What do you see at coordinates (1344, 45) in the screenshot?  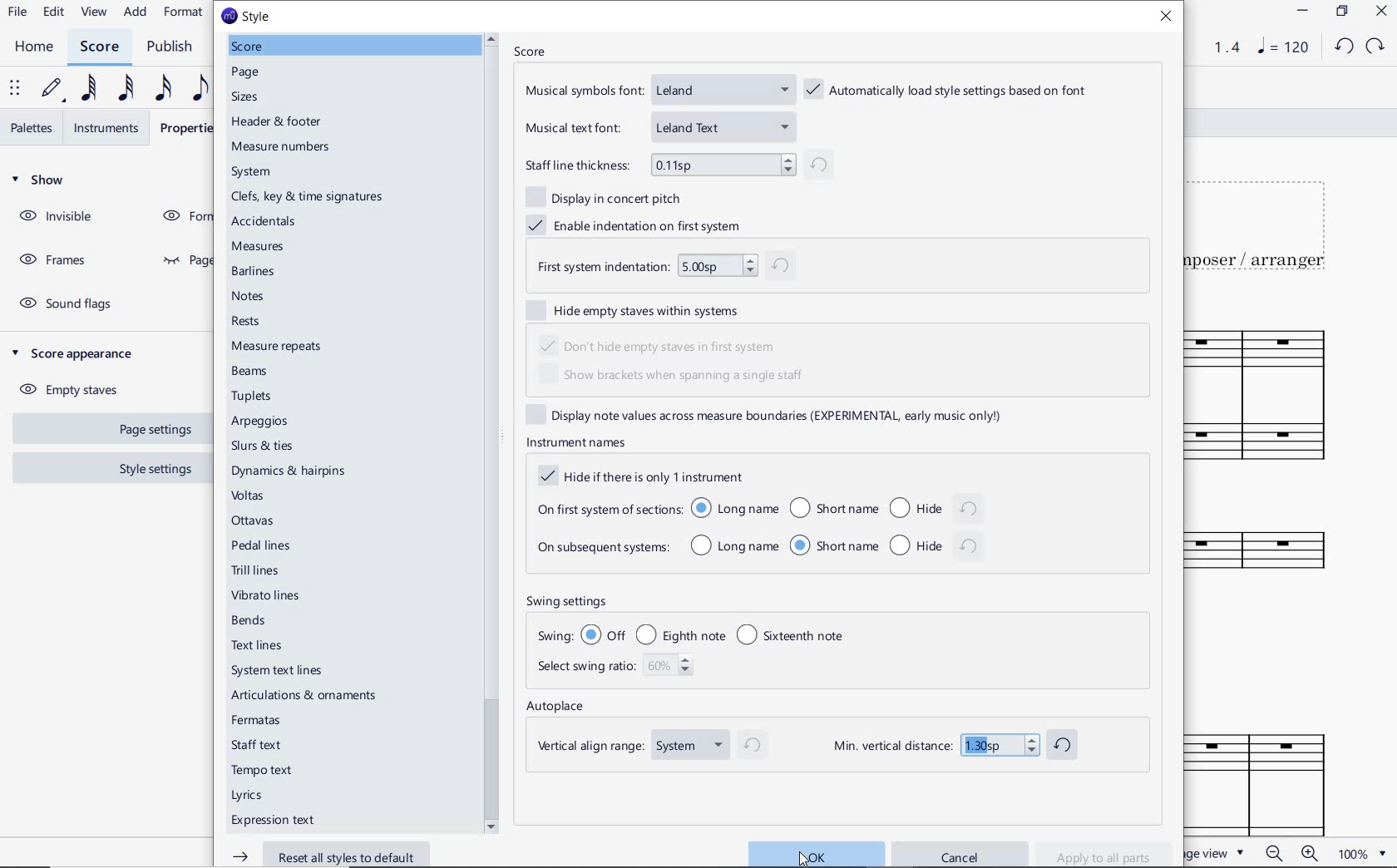 I see `UNDO` at bounding box center [1344, 45].